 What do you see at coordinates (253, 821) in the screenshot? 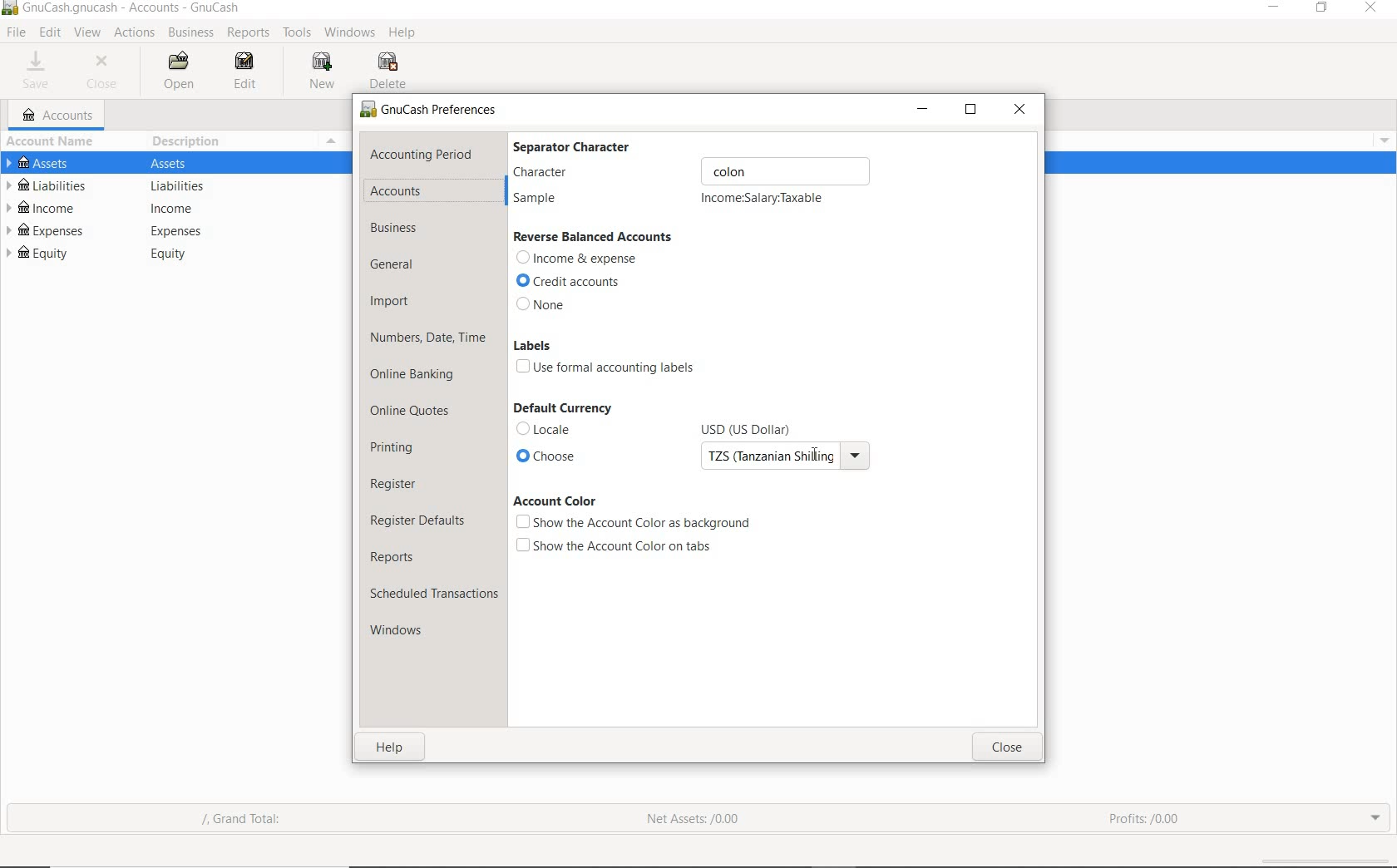
I see `grand total` at bounding box center [253, 821].